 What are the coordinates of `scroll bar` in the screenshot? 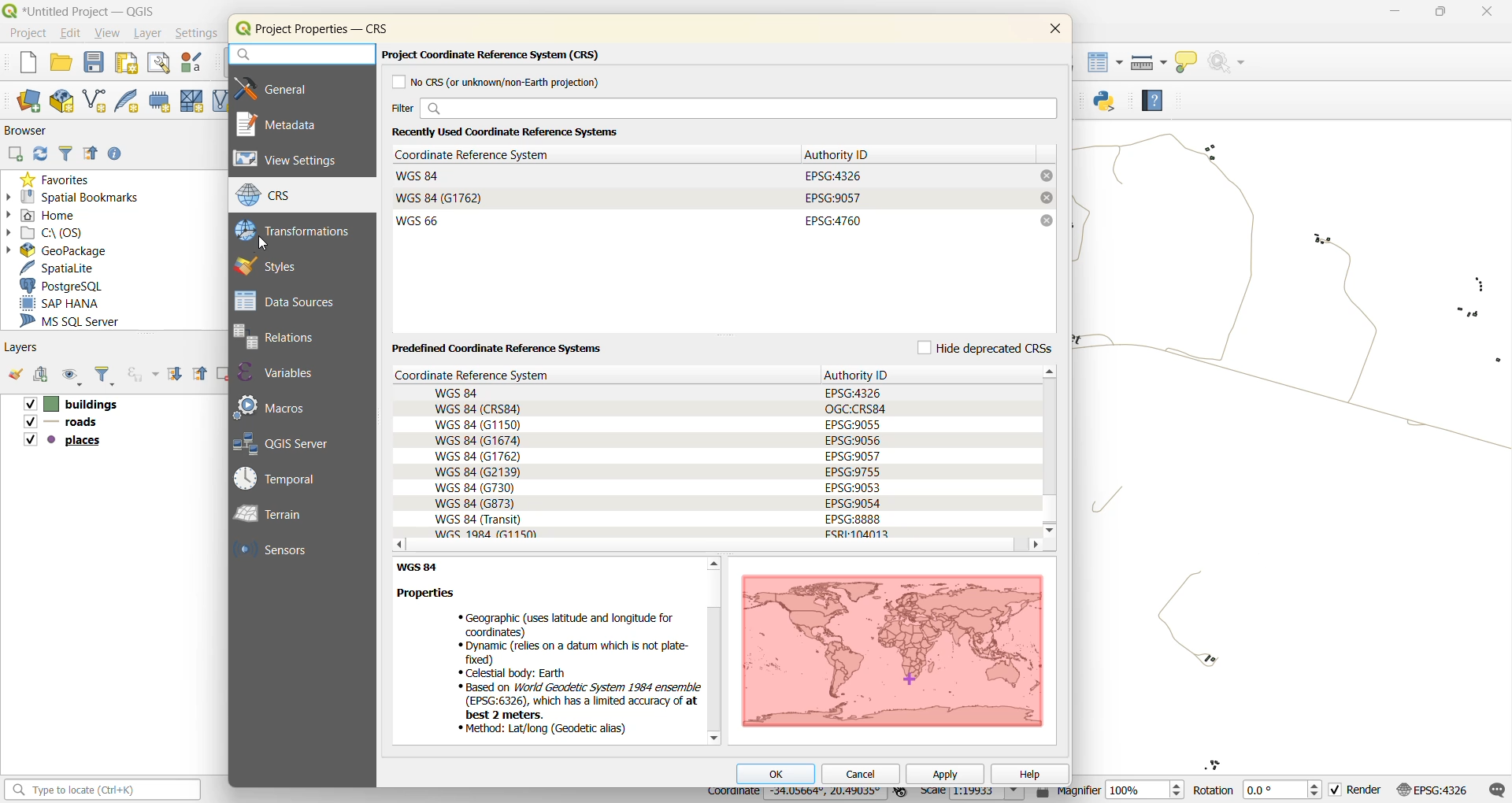 It's located at (712, 668).